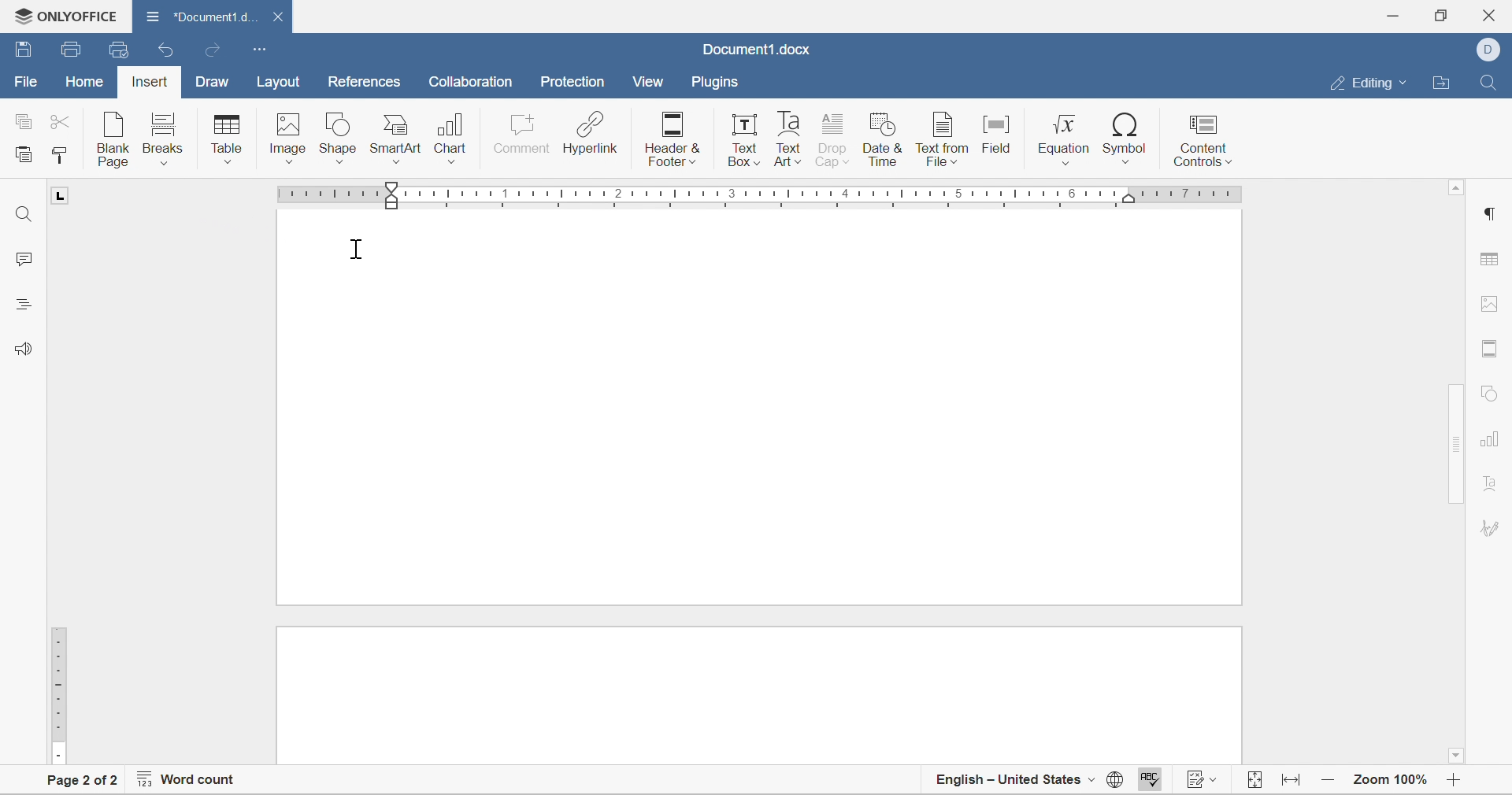 This screenshot has height=795, width=1512. Describe the element at coordinates (361, 83) in the screenshot. I see `References` at that location.